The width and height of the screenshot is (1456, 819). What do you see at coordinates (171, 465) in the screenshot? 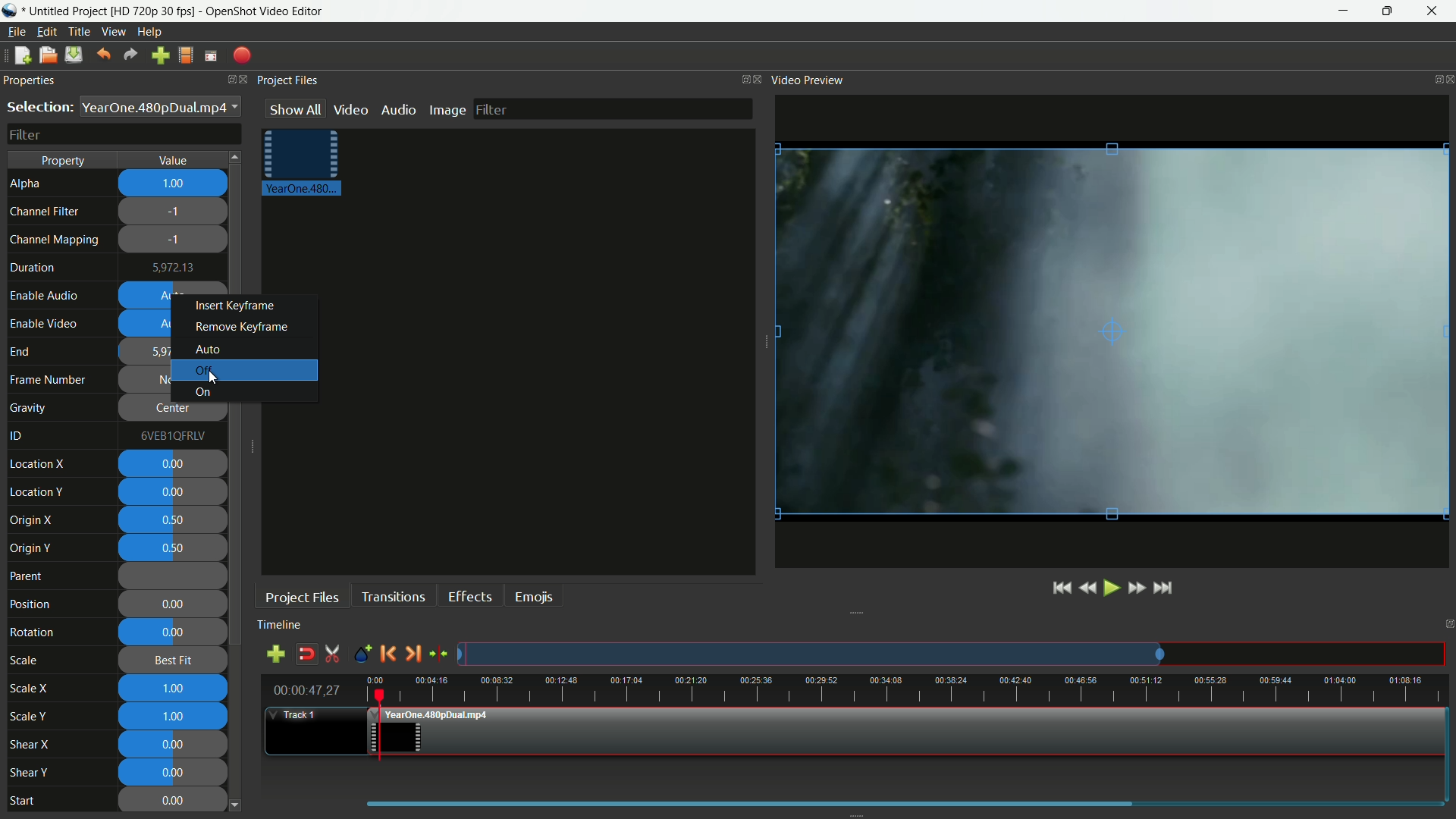
I see `0.00` at bounding box center [171, 465].